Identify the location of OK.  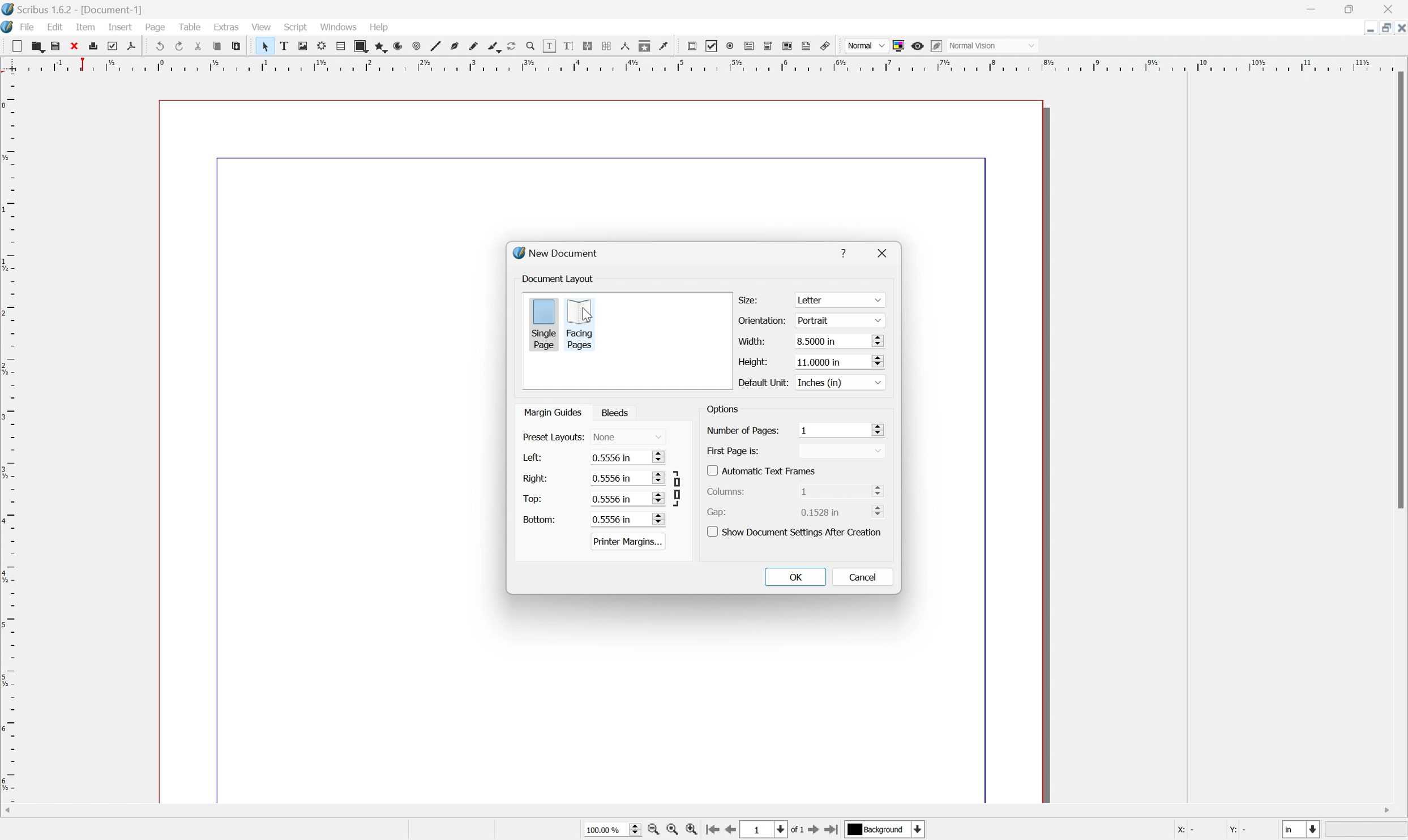
(796, 577).